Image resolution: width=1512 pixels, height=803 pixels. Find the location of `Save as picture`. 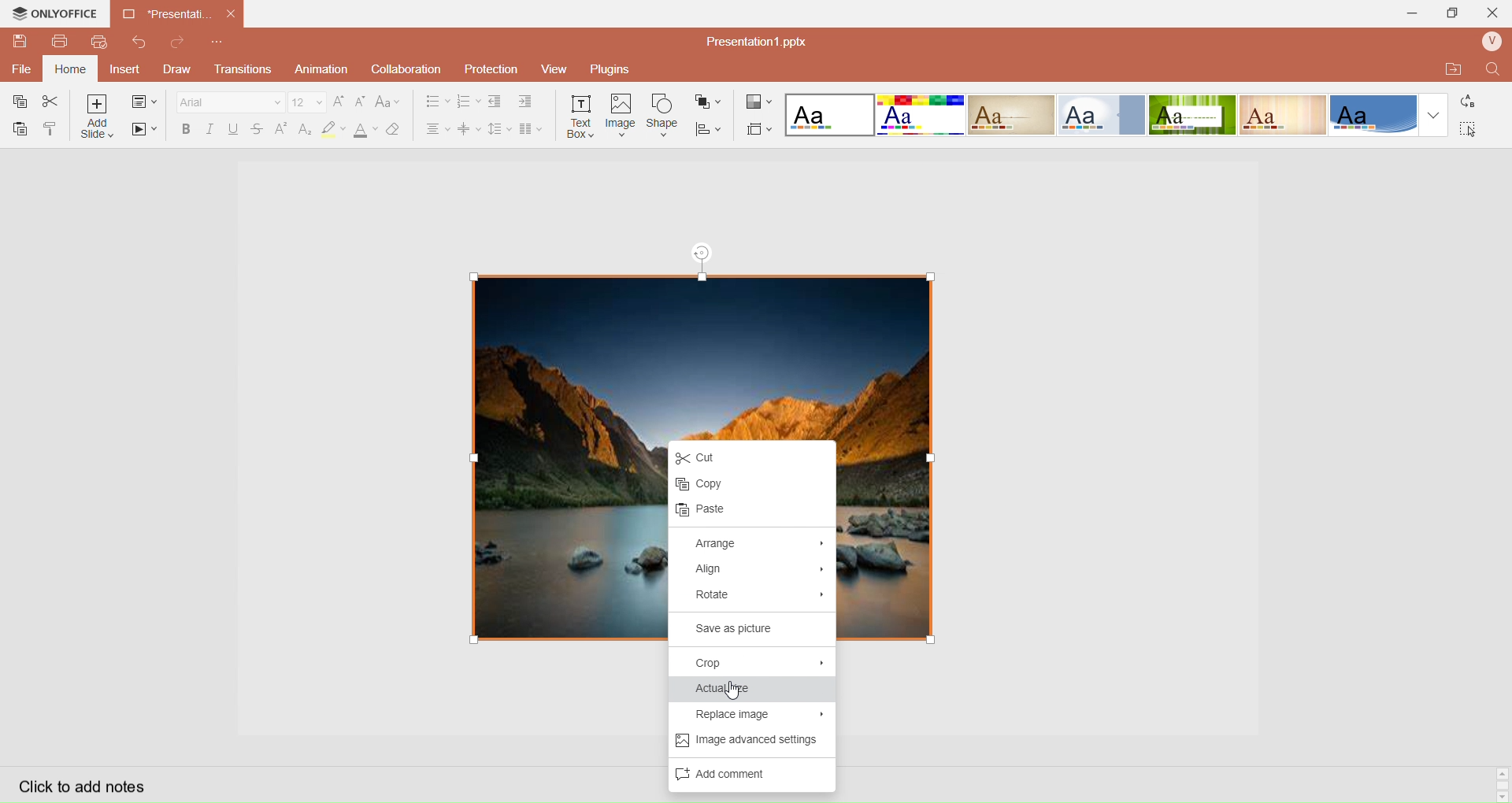

Save as picture is located at coordinates (748, 630).